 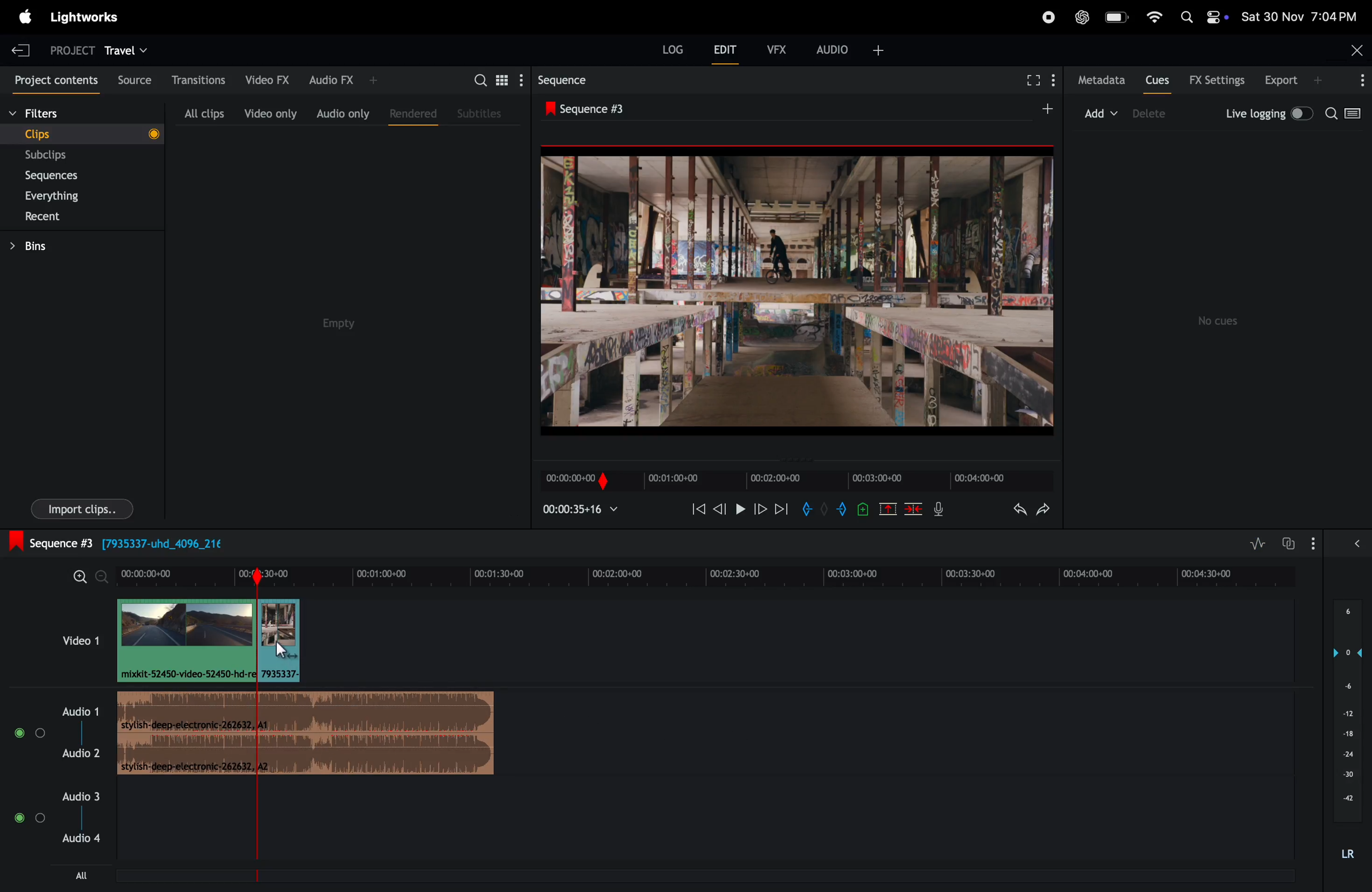 I want to click on 6 (layers), so click(x=1347, y=617).